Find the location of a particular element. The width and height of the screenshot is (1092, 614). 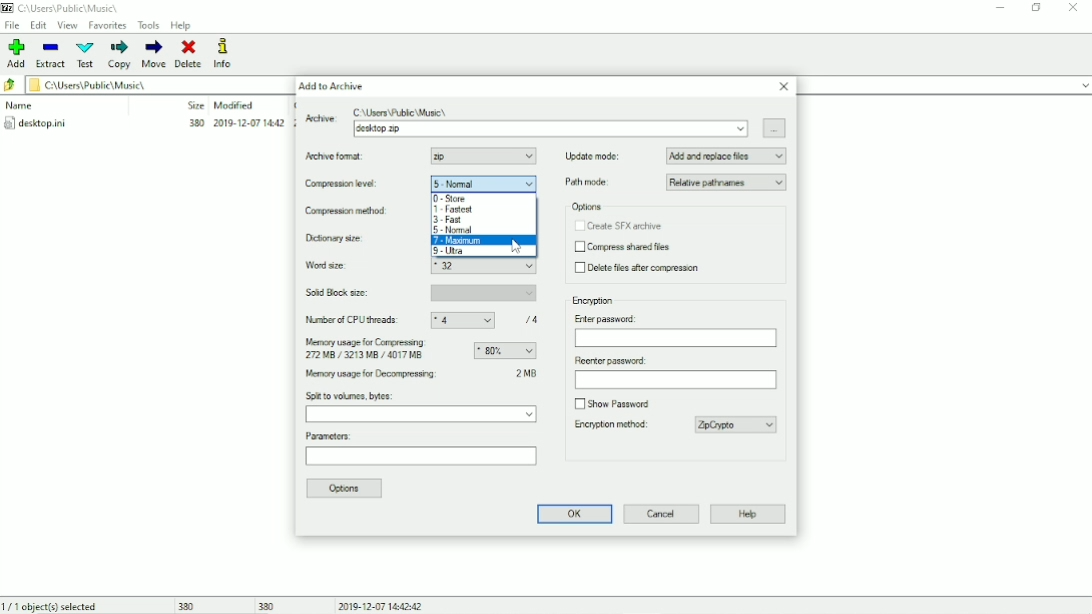

Close is located at coordinates (784, 87).